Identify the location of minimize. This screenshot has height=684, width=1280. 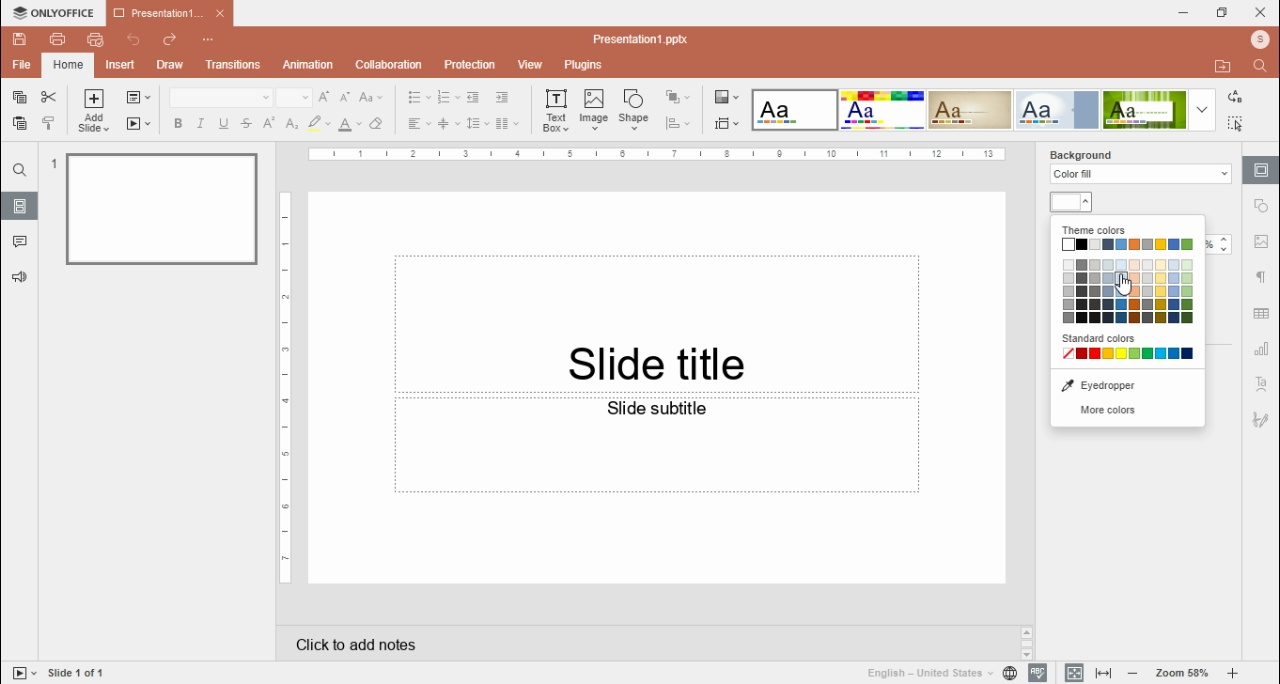
(1184, 13).